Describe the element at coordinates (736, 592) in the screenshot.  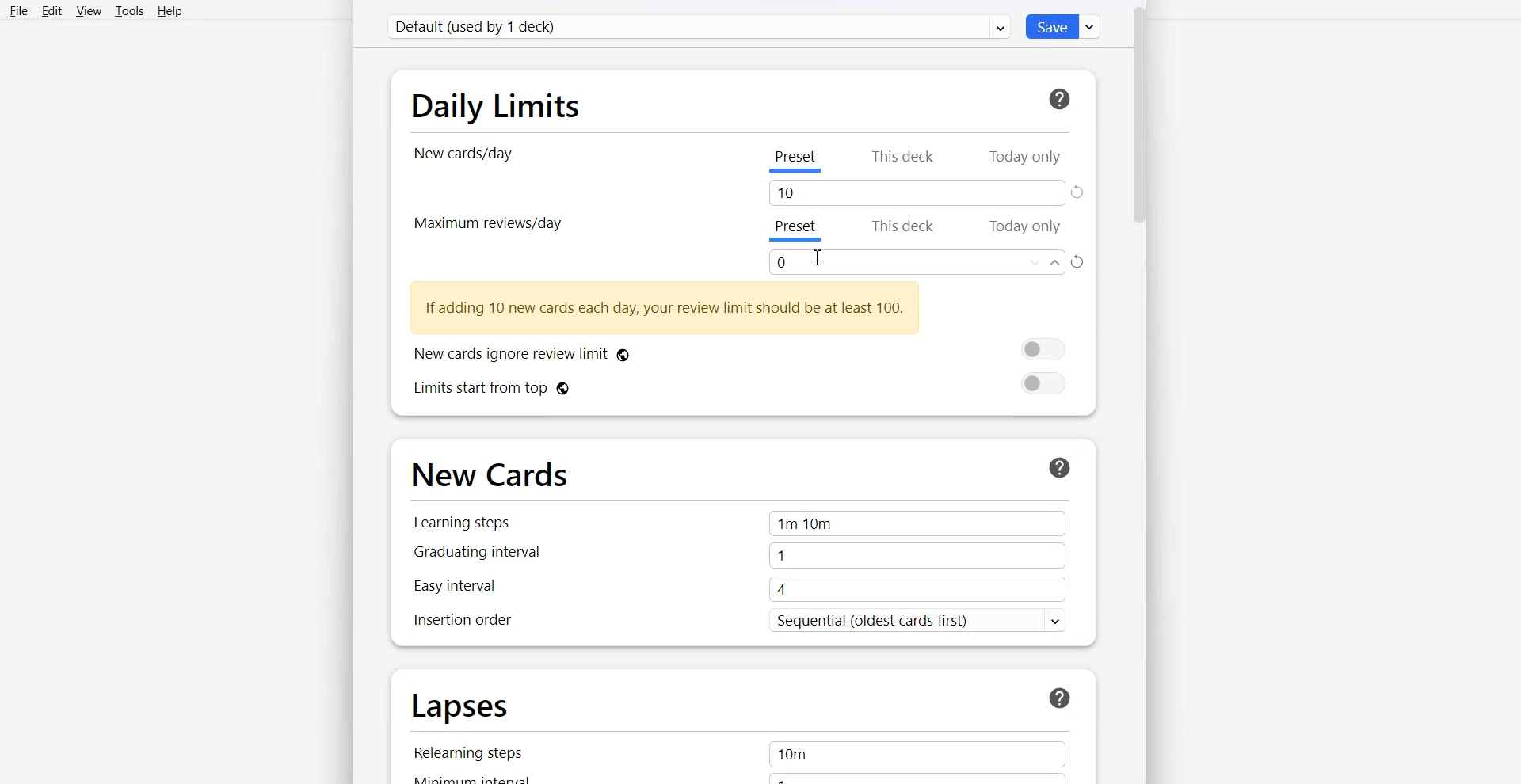
I see `Easy Interval` at that location.